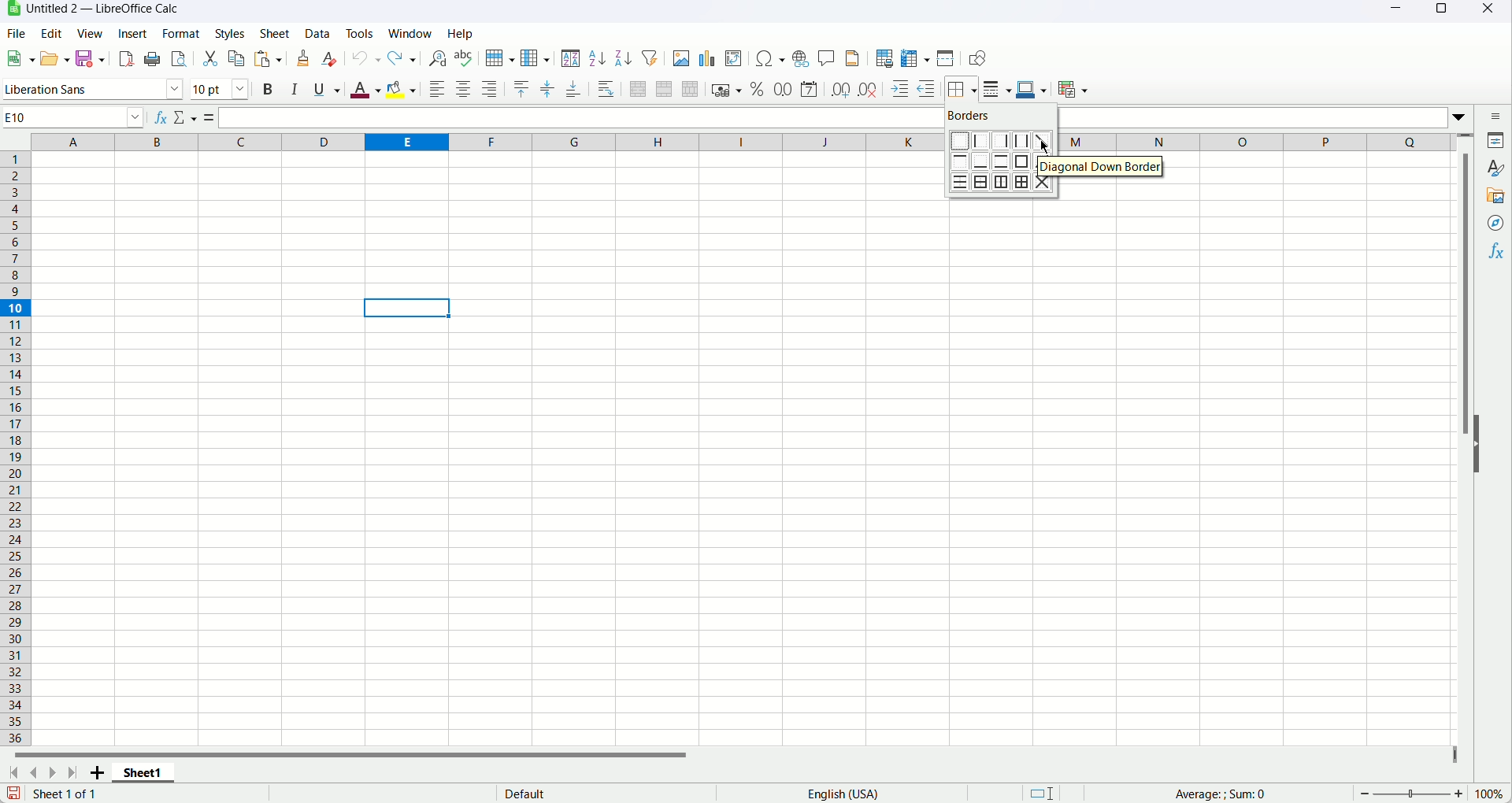 This screenshot has width=1512, height=803. What do you see at coordinates (69, 794) in the screenshot?
I see `Sheet 1 of 1` at bounding box center [69, 794].